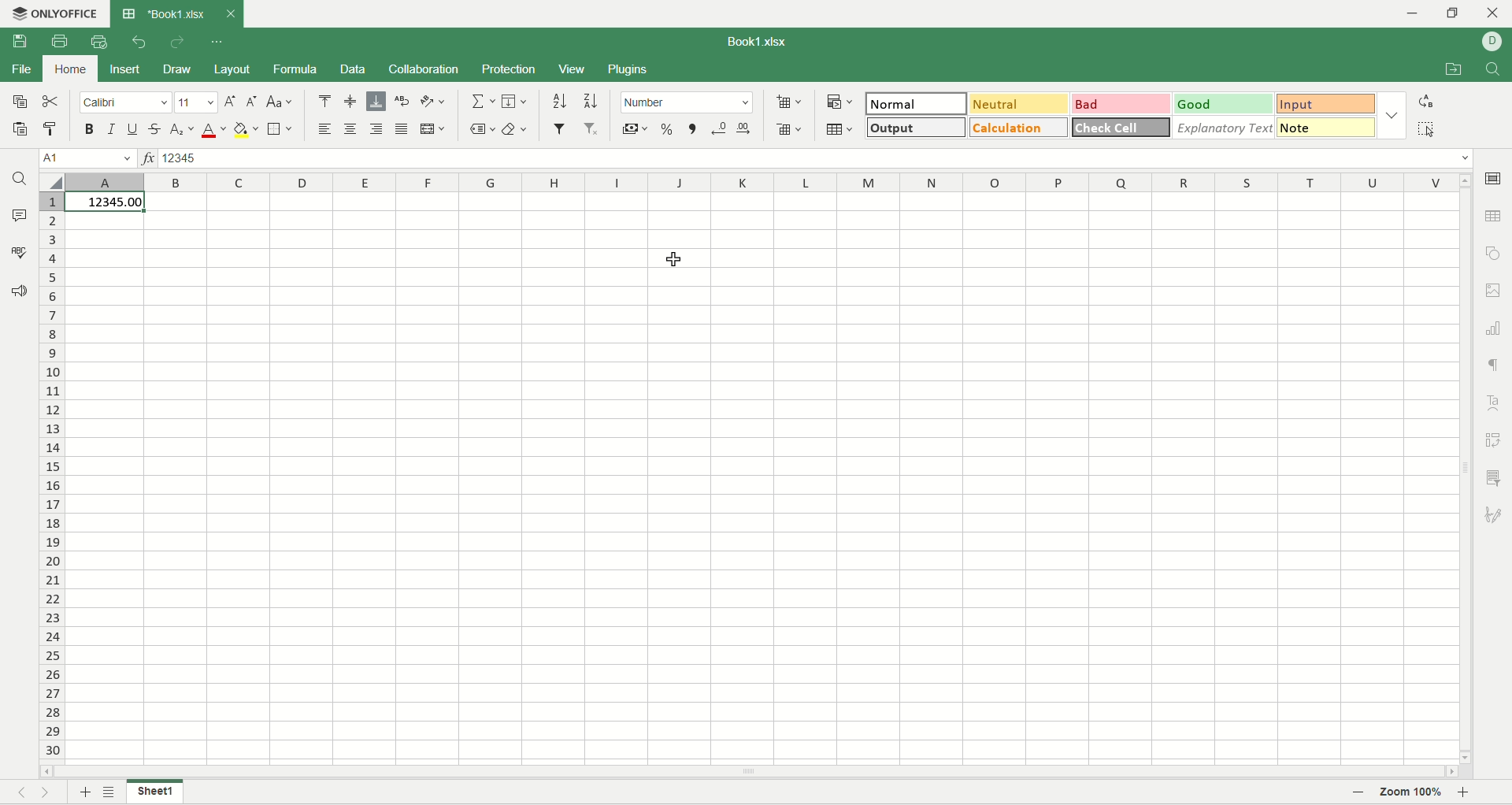 The image size is (1512, 805). I want to click on document name, so click(759, 42).